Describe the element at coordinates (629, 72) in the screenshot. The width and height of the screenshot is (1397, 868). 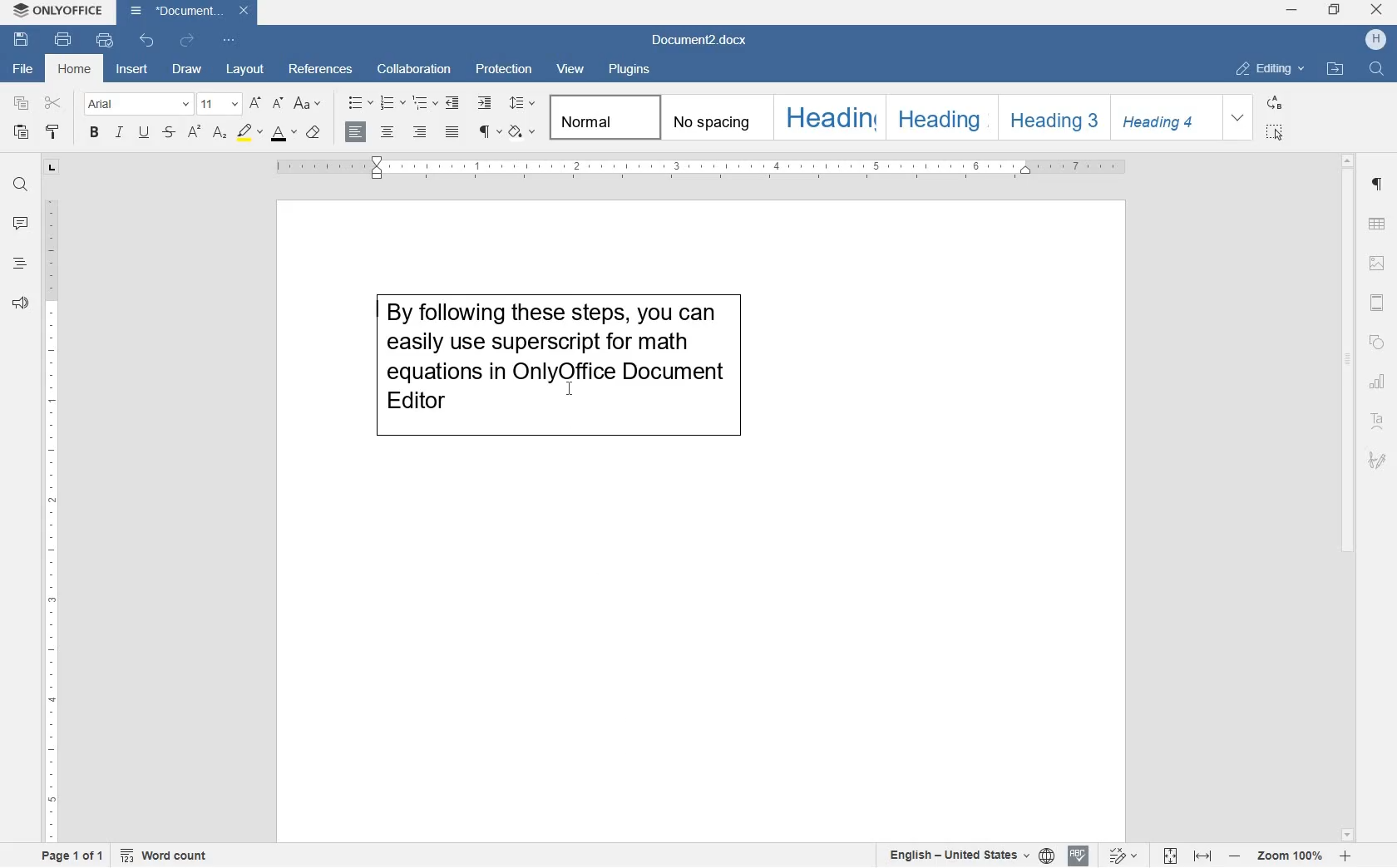
I see `plugins` at that location.